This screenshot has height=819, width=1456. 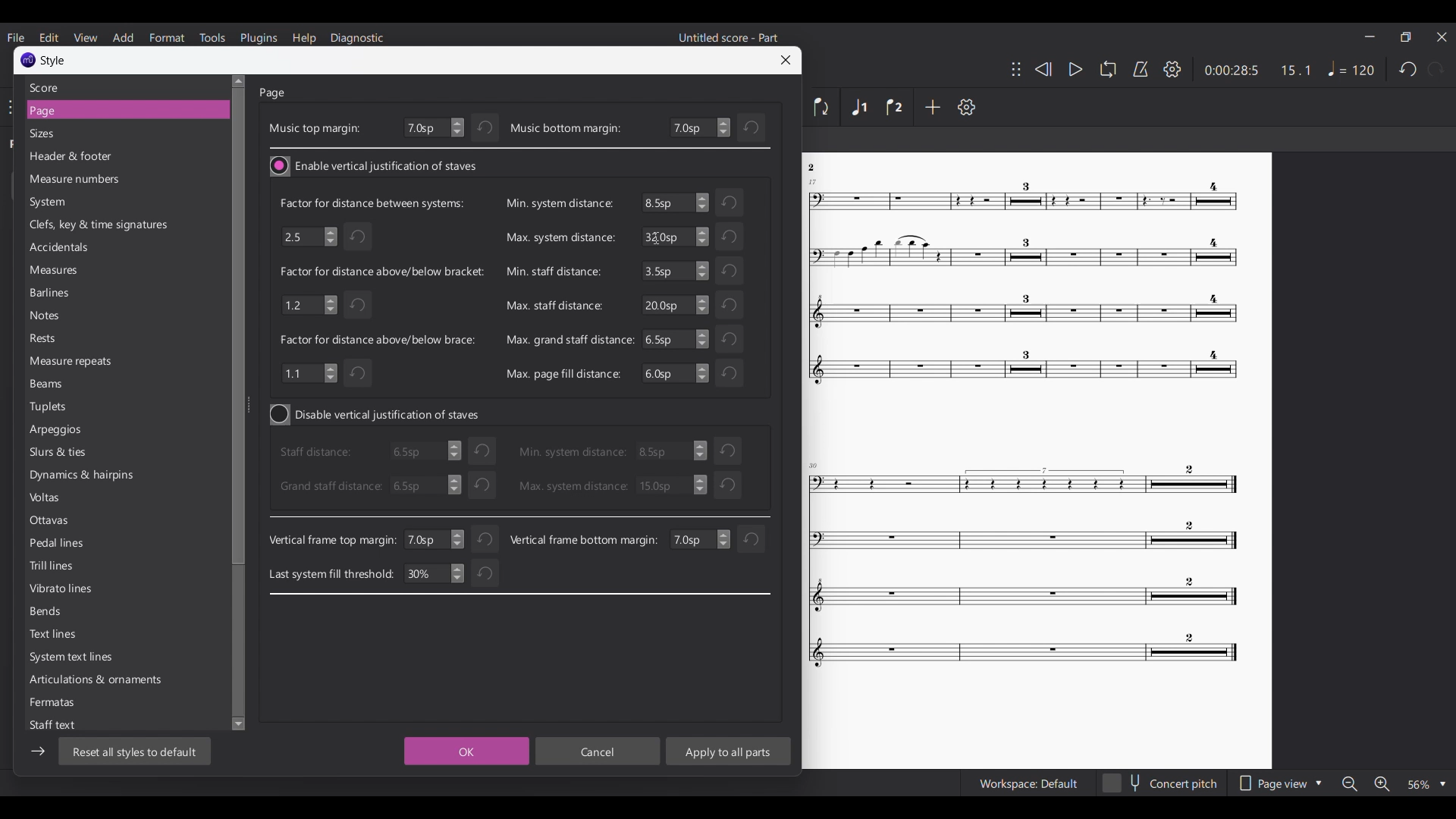 I want to click on Bottom margin settings, so click(x=700, y=127).